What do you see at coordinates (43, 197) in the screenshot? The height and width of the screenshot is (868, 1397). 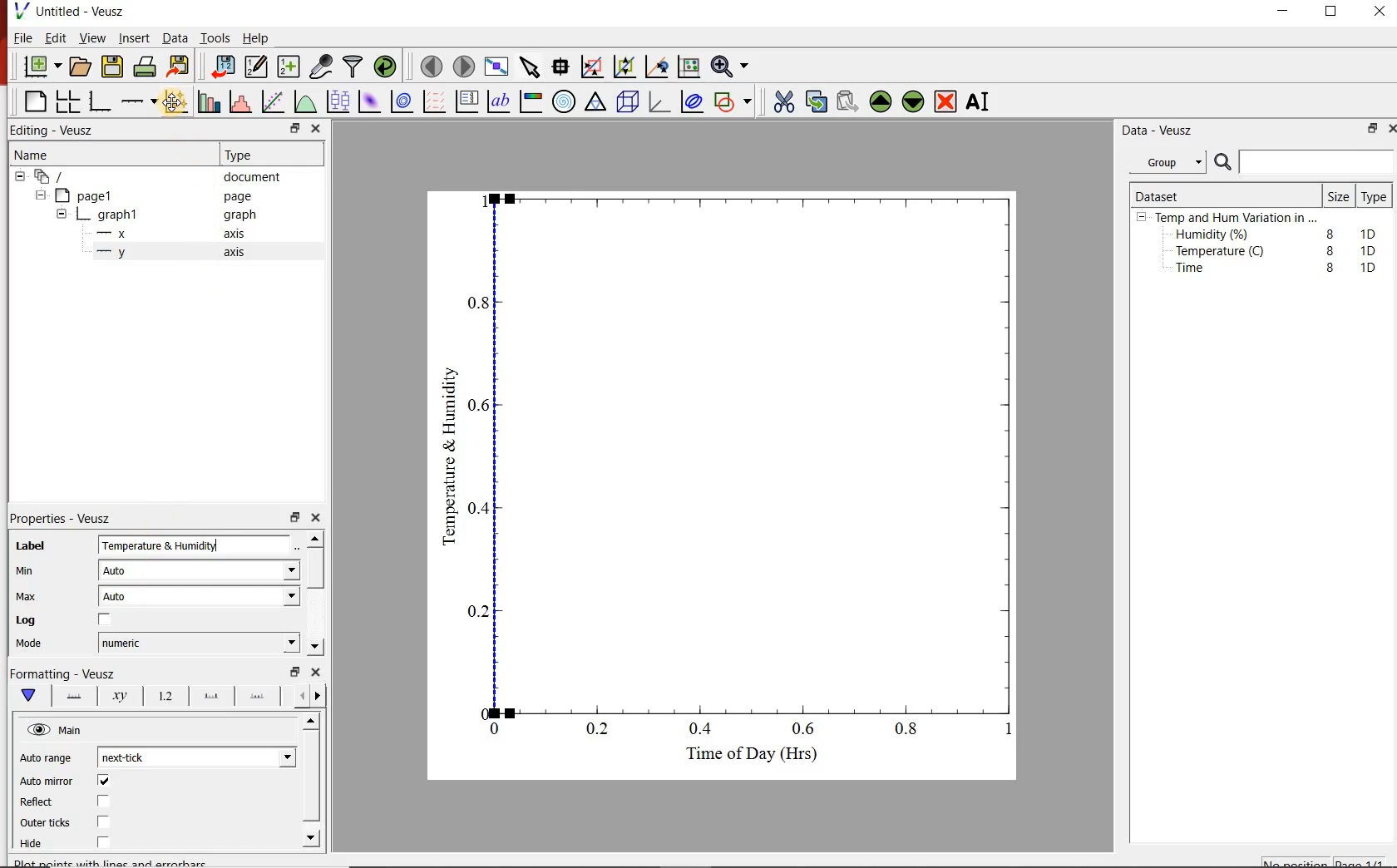 I see `hide sub menu` at bounding box center [43, 197].